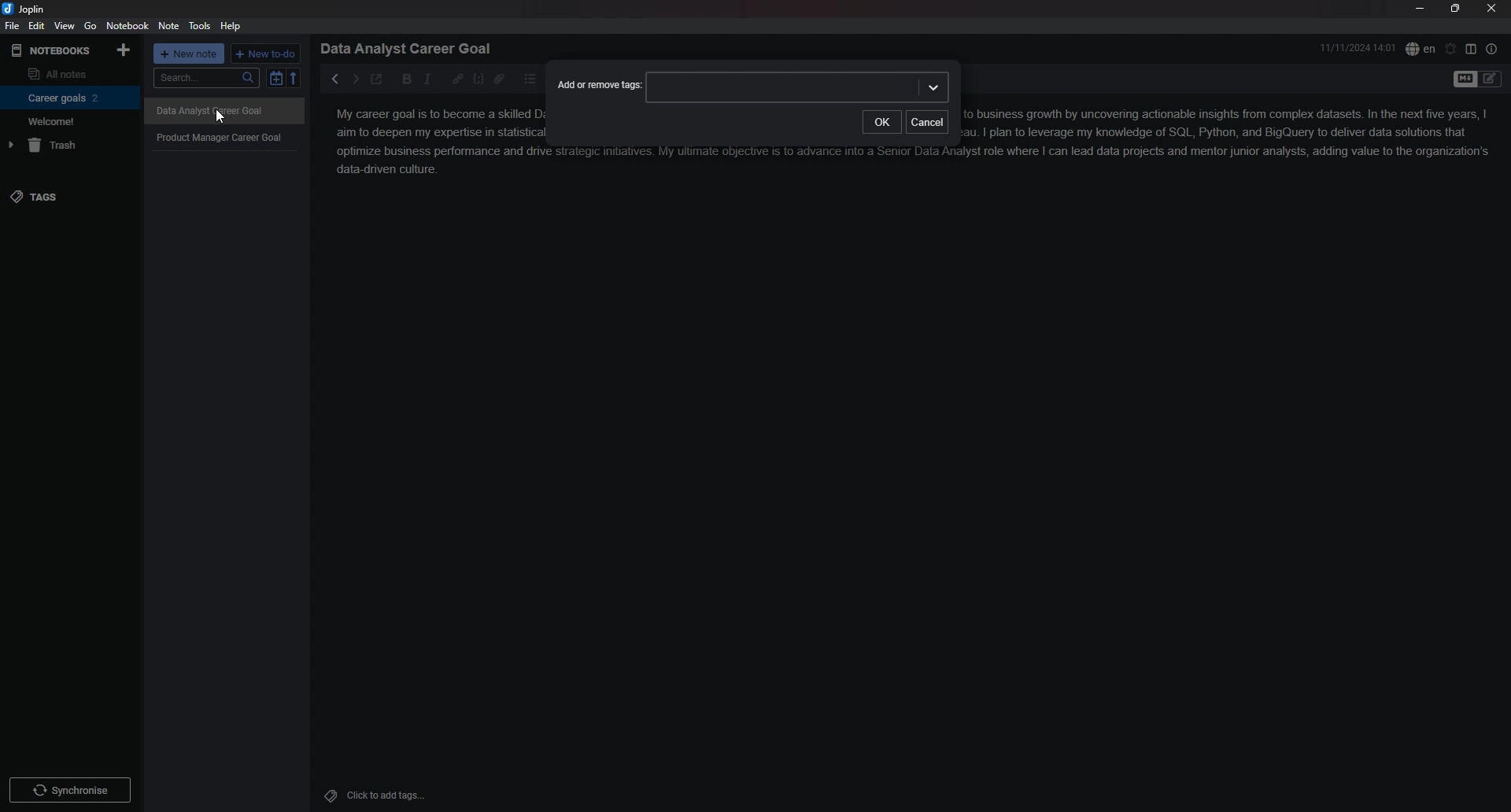 This screenshot has width=1511, height=812. What do you see at coordinates (530, 79) in the screenshot?
I see `bullet list` at bounding box center [530, 79].